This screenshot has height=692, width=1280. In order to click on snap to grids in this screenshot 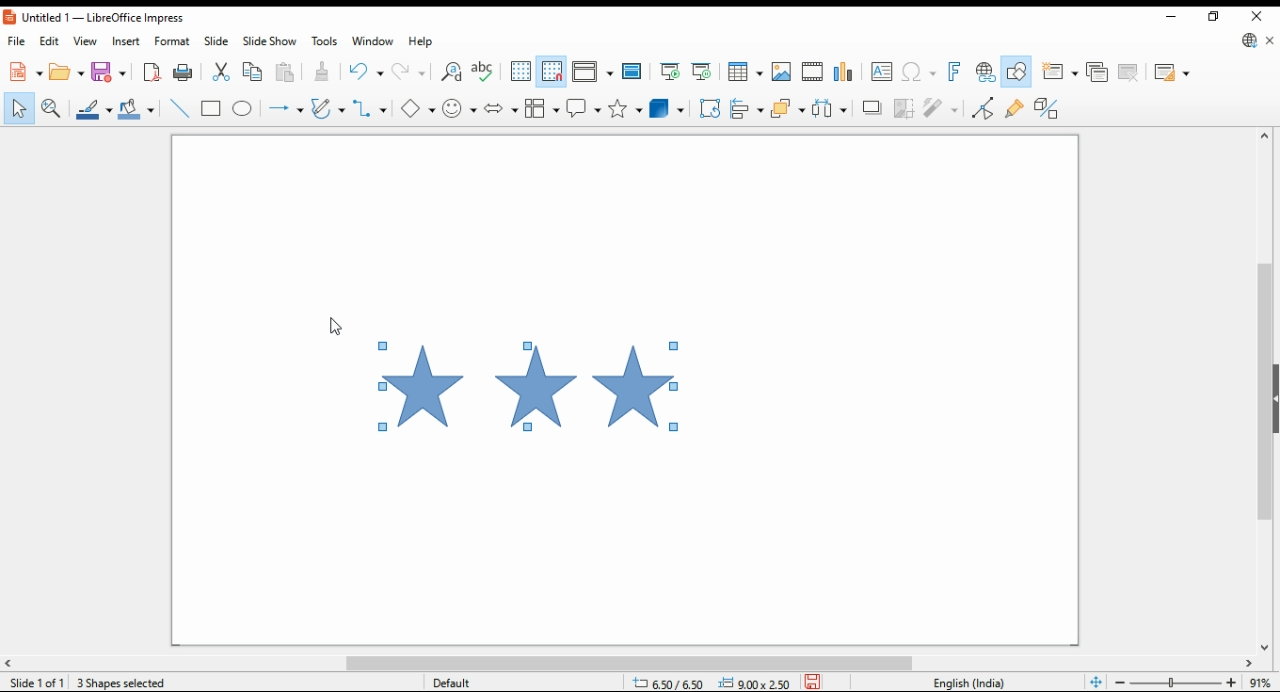, I will do `click(552, 73)`.